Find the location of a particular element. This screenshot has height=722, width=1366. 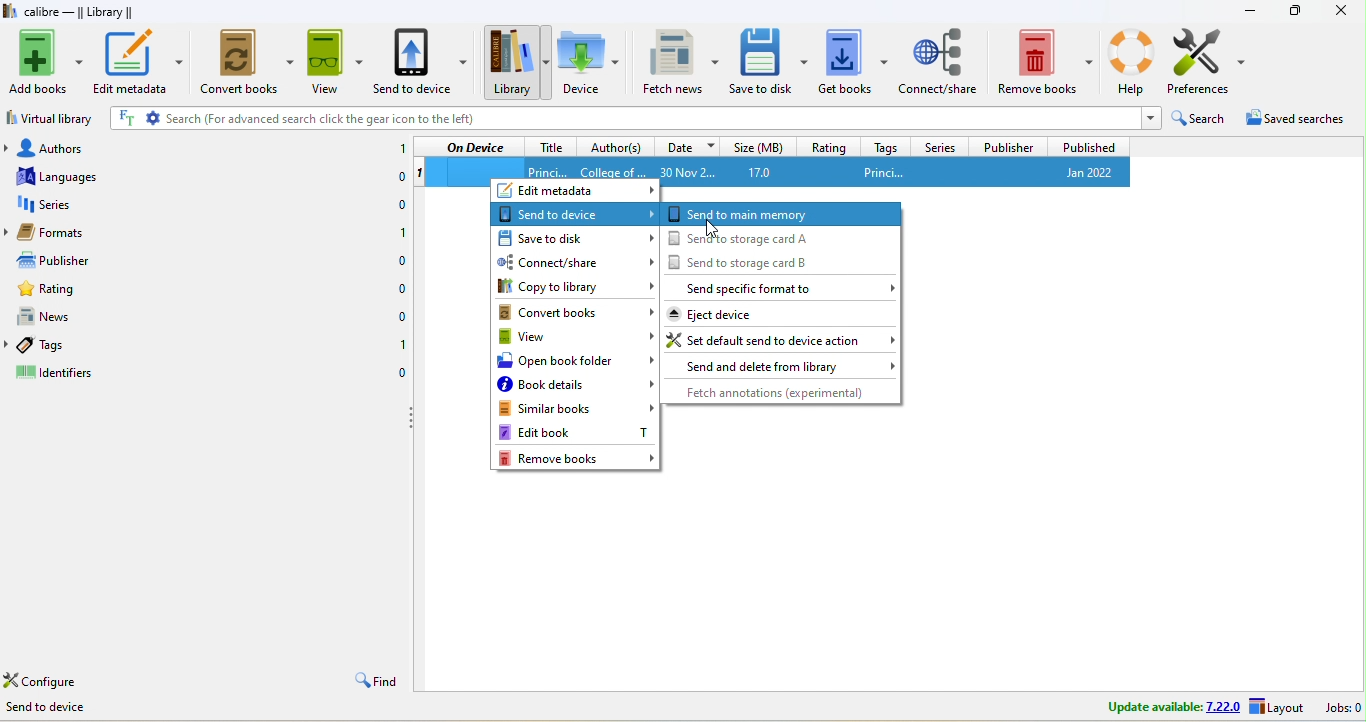

drag to collapse is located at coordinates (414, 420).